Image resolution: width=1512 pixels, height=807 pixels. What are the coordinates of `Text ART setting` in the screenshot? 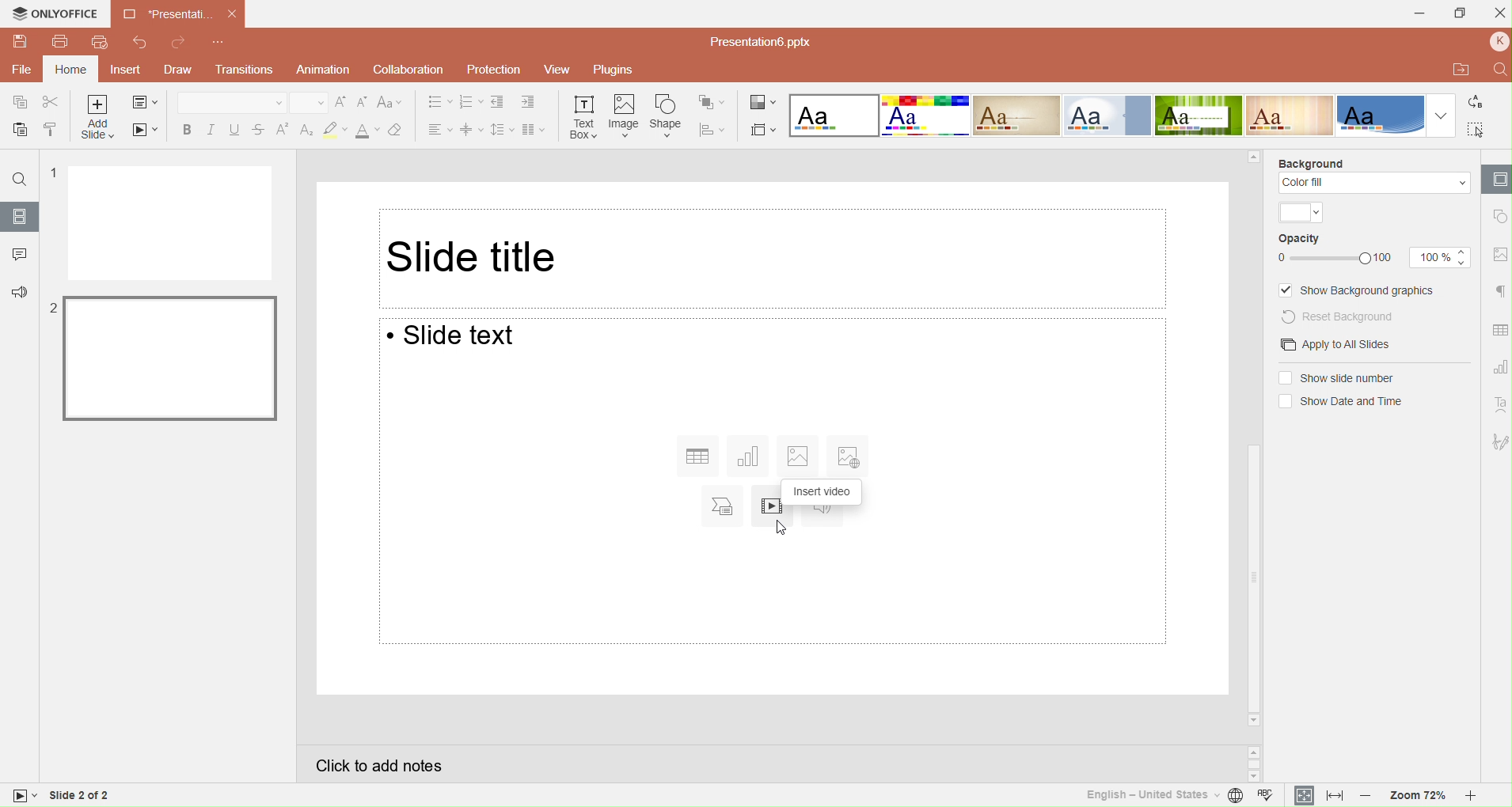 It's located at (1497, 404).